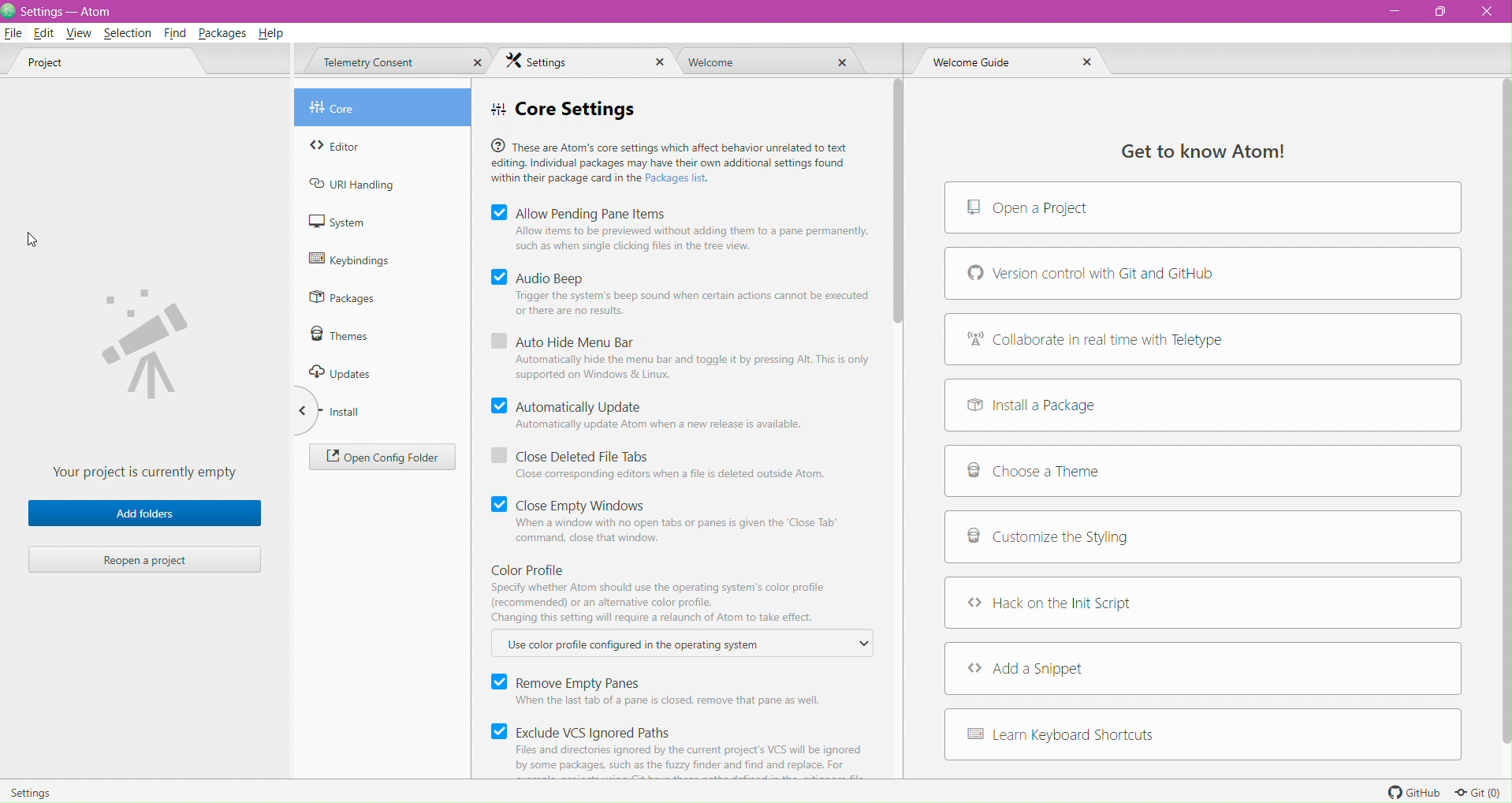 The width and height of the screenshot is (1512, 803). Describe the element at coordinates (1202, 405) in the screenshot. I see `Install a Package` at that location.